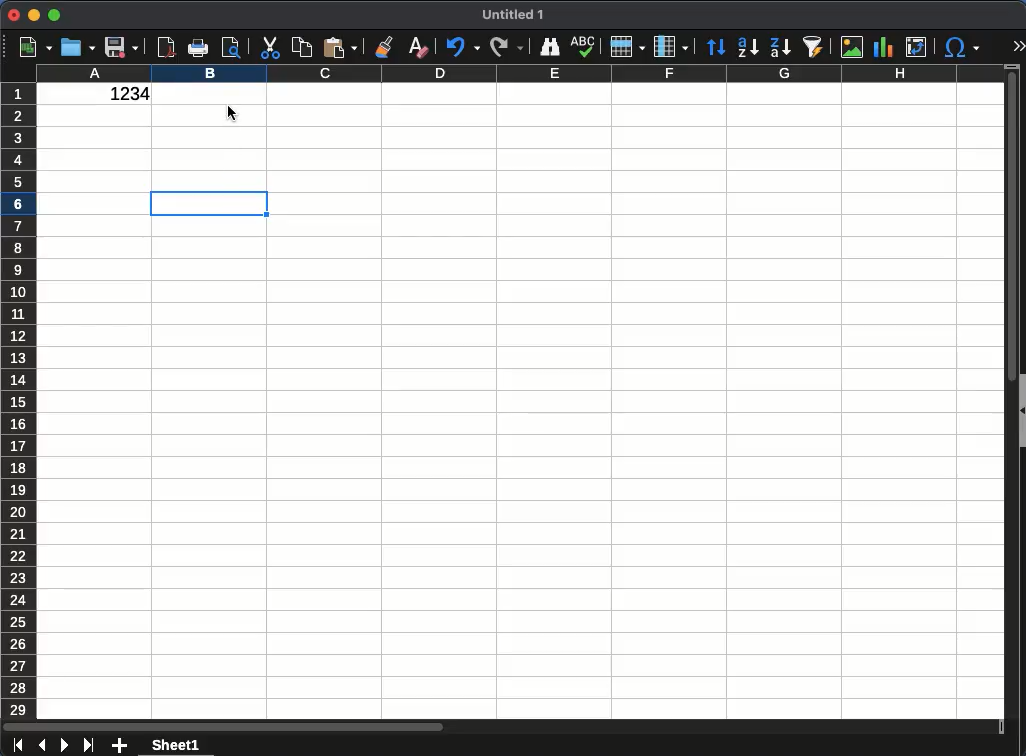  I want to click on cell selected, so click(208, 204).